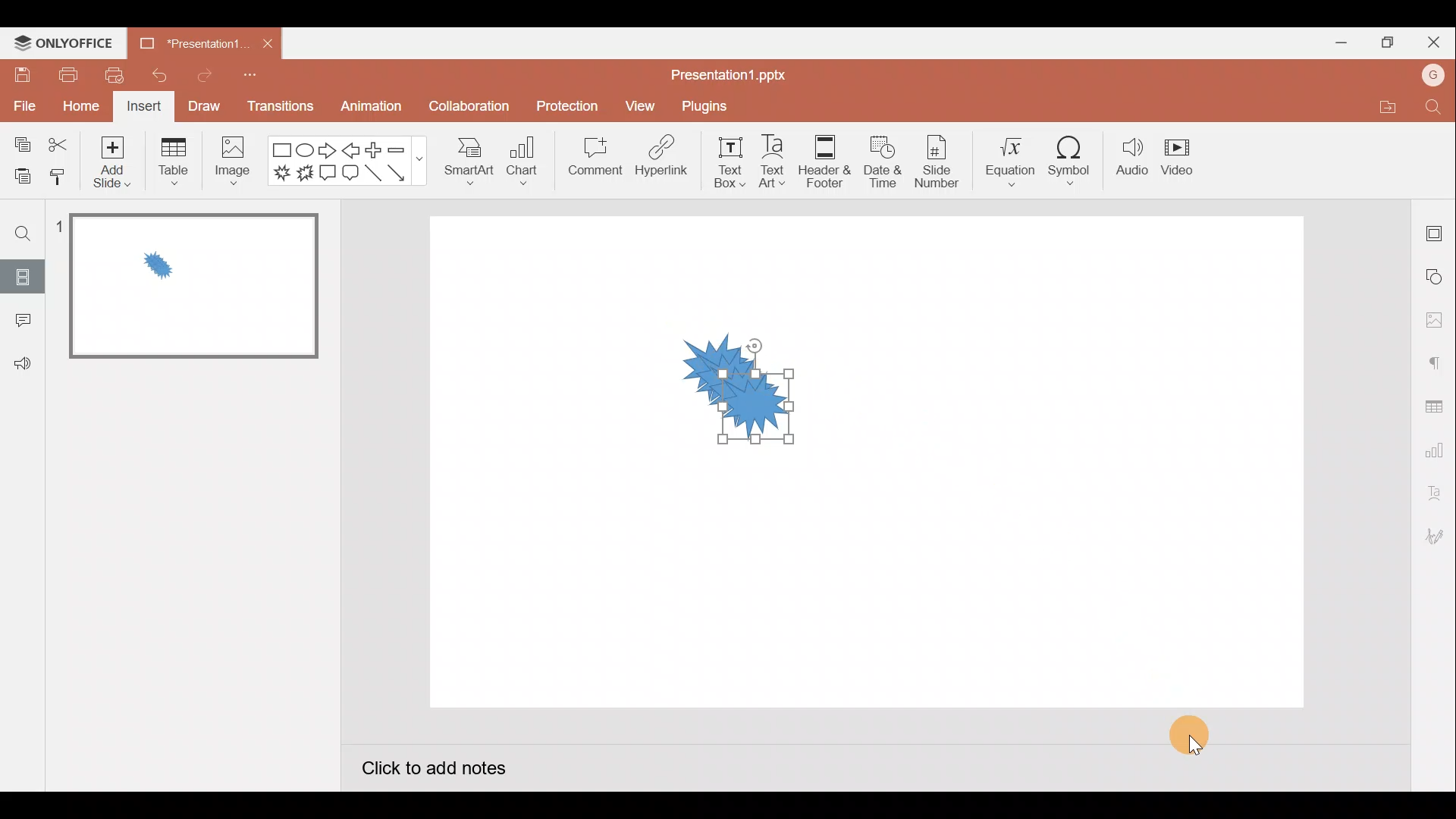 This screenshot has height=819, width=1456. Describe the element at coordinates (204, 108) in the screenshot. I see `Draw` at that location.